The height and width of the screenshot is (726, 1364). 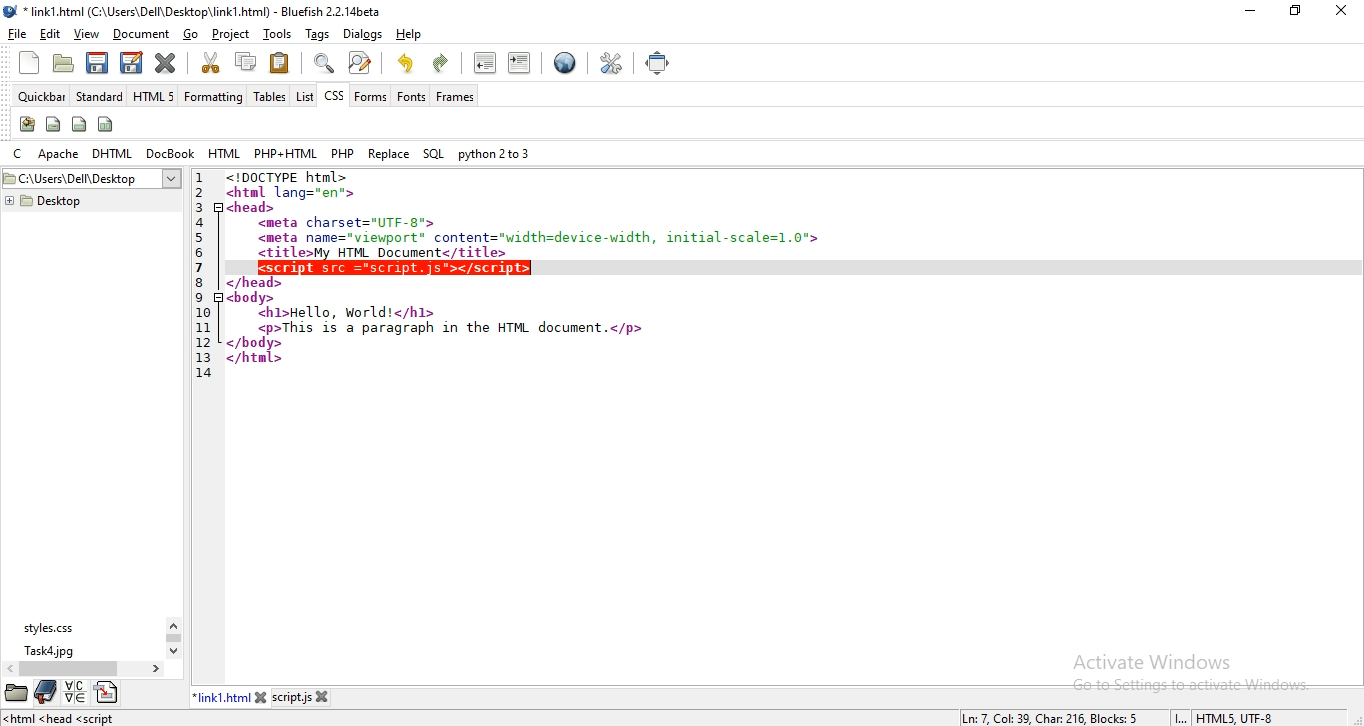 I want to click on styles, so click(x=54, y=626).